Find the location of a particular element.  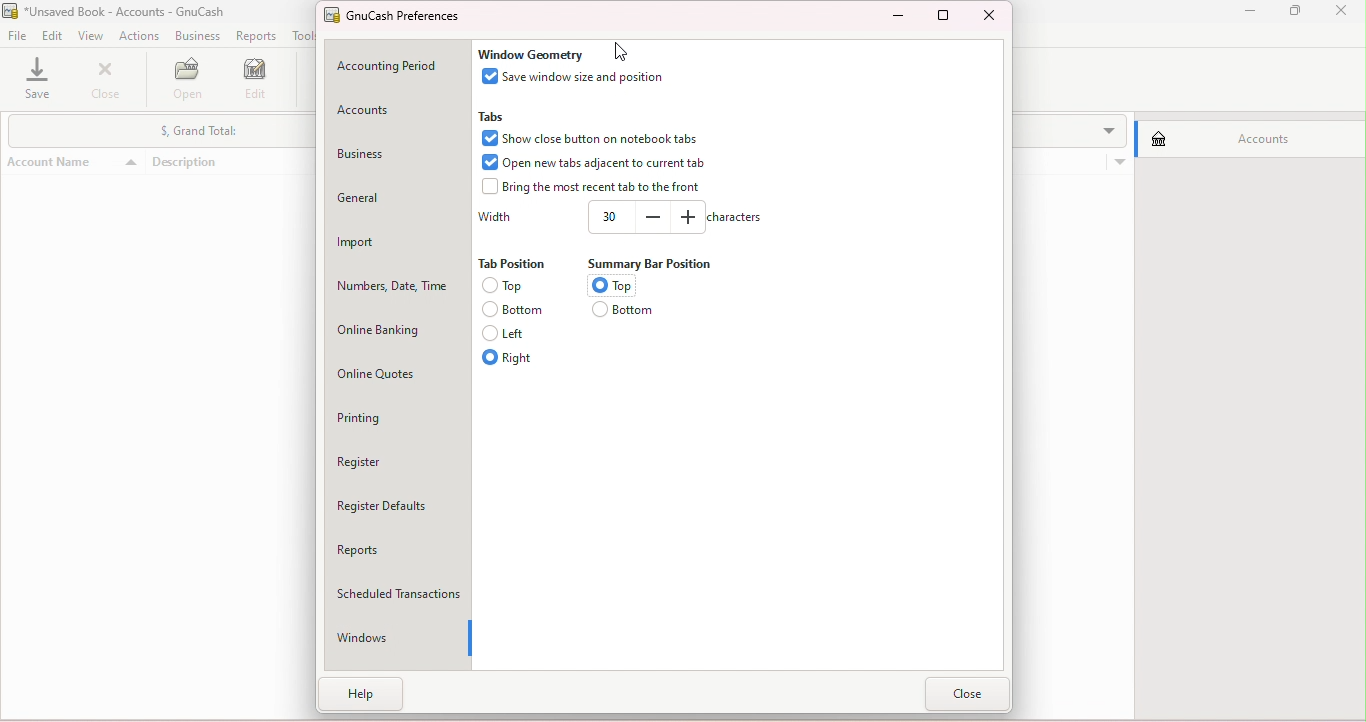

Reports is located at coordinates (395, 547).